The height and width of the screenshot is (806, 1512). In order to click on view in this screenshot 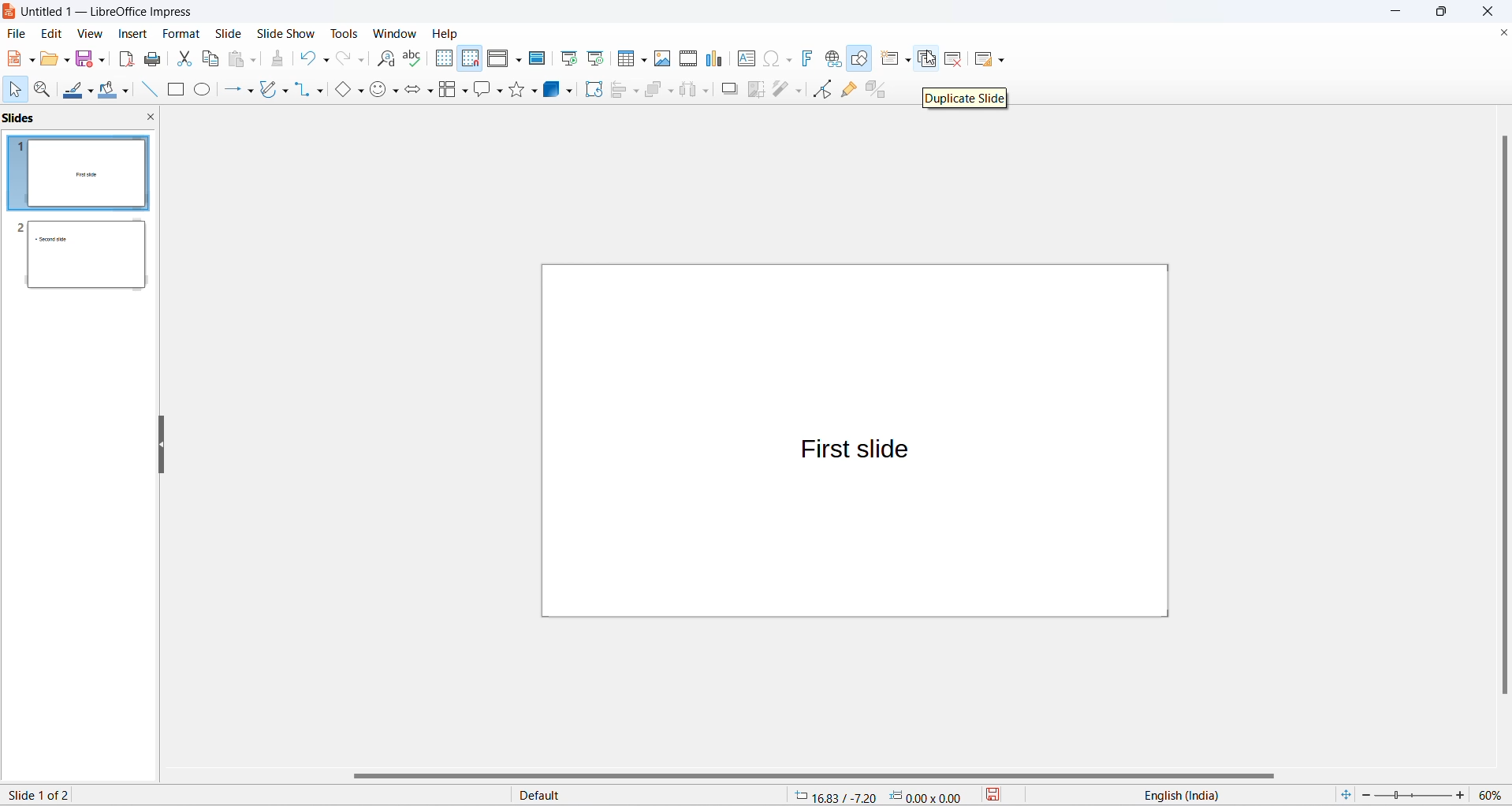, I will do `click(92, 33)`.